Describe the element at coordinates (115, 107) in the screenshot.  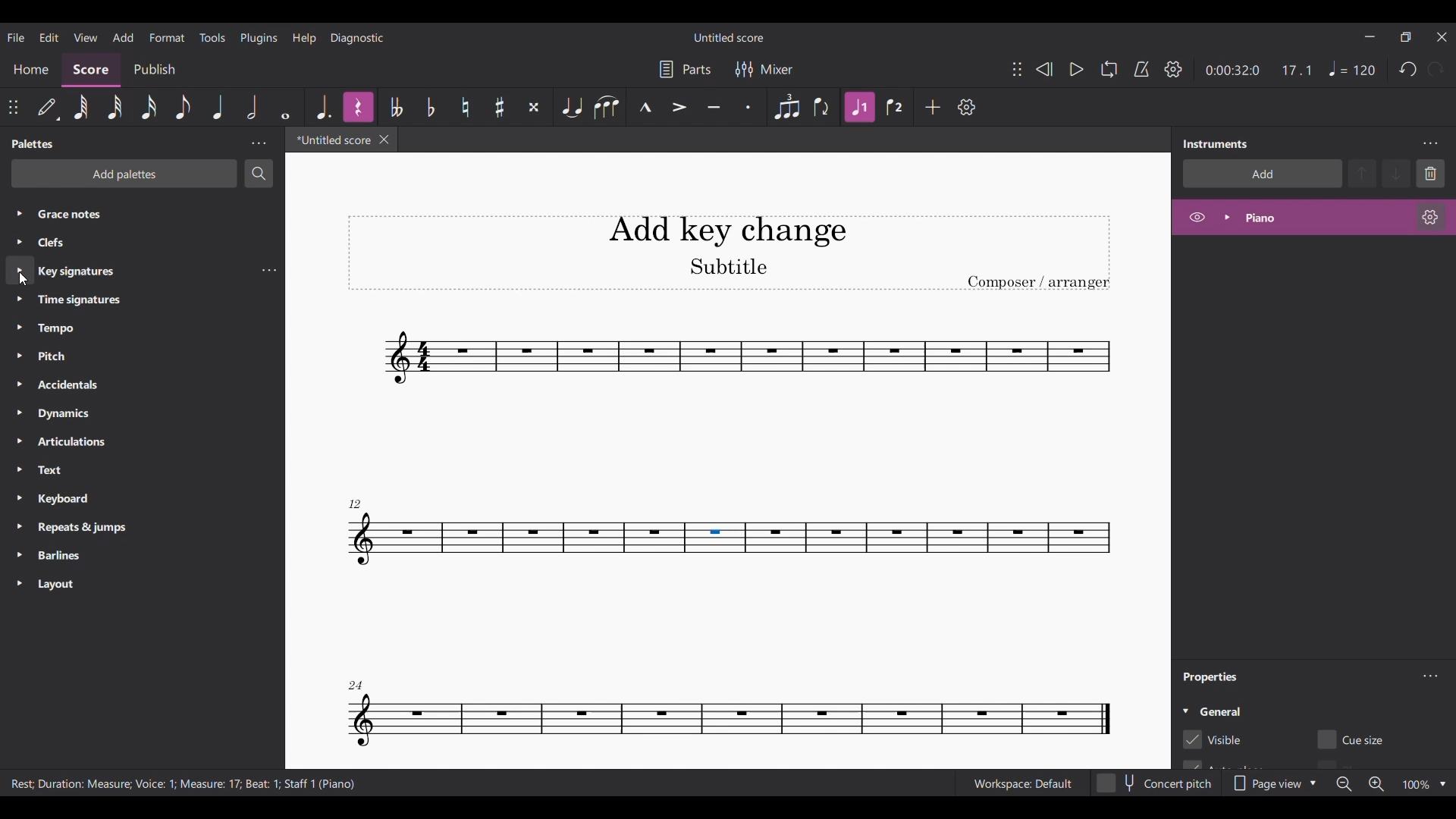
I see `32nd note` at that location.